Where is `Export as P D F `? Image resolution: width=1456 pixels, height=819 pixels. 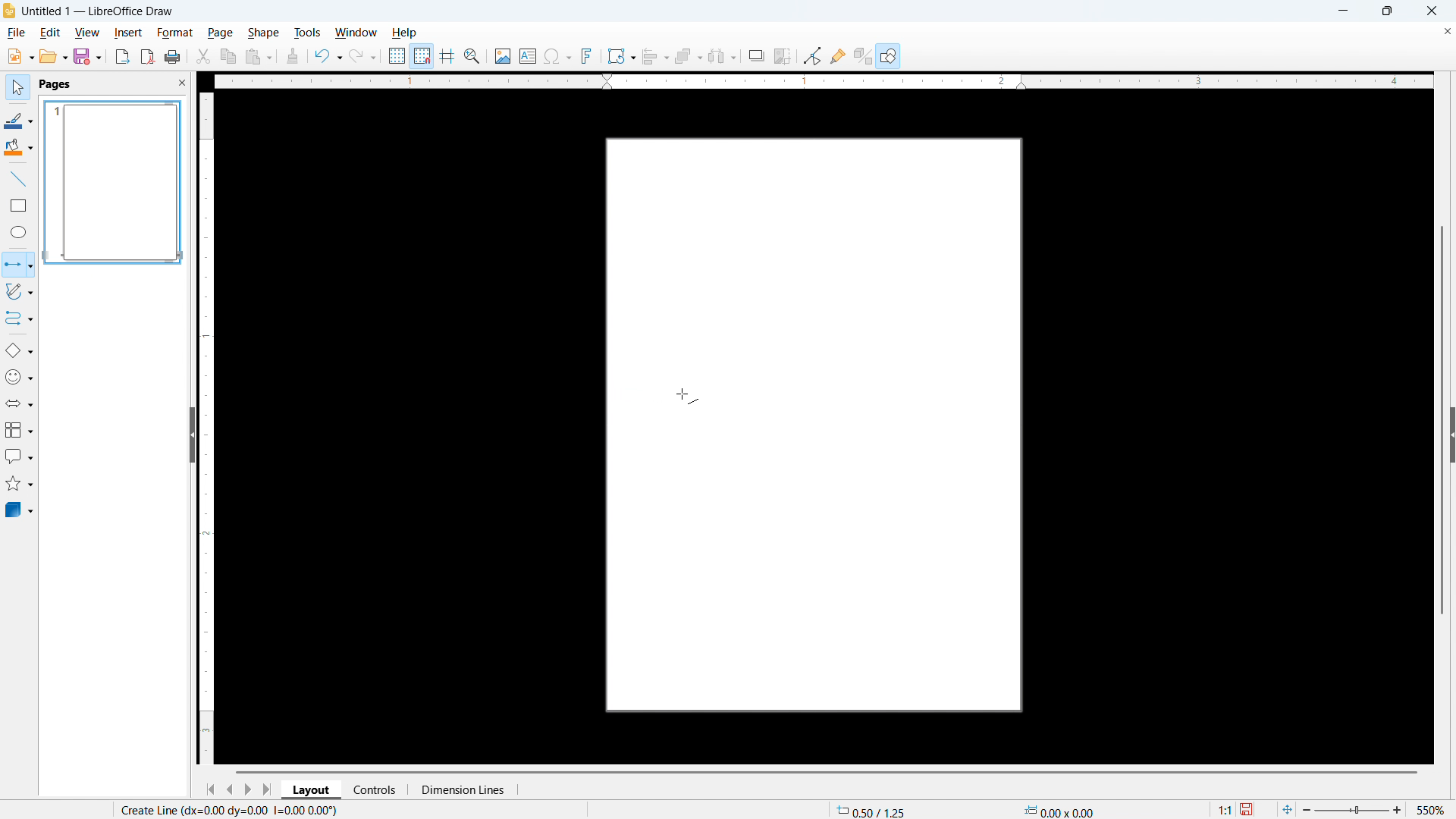 Export as P D F  is located at coordinates (148, 56).